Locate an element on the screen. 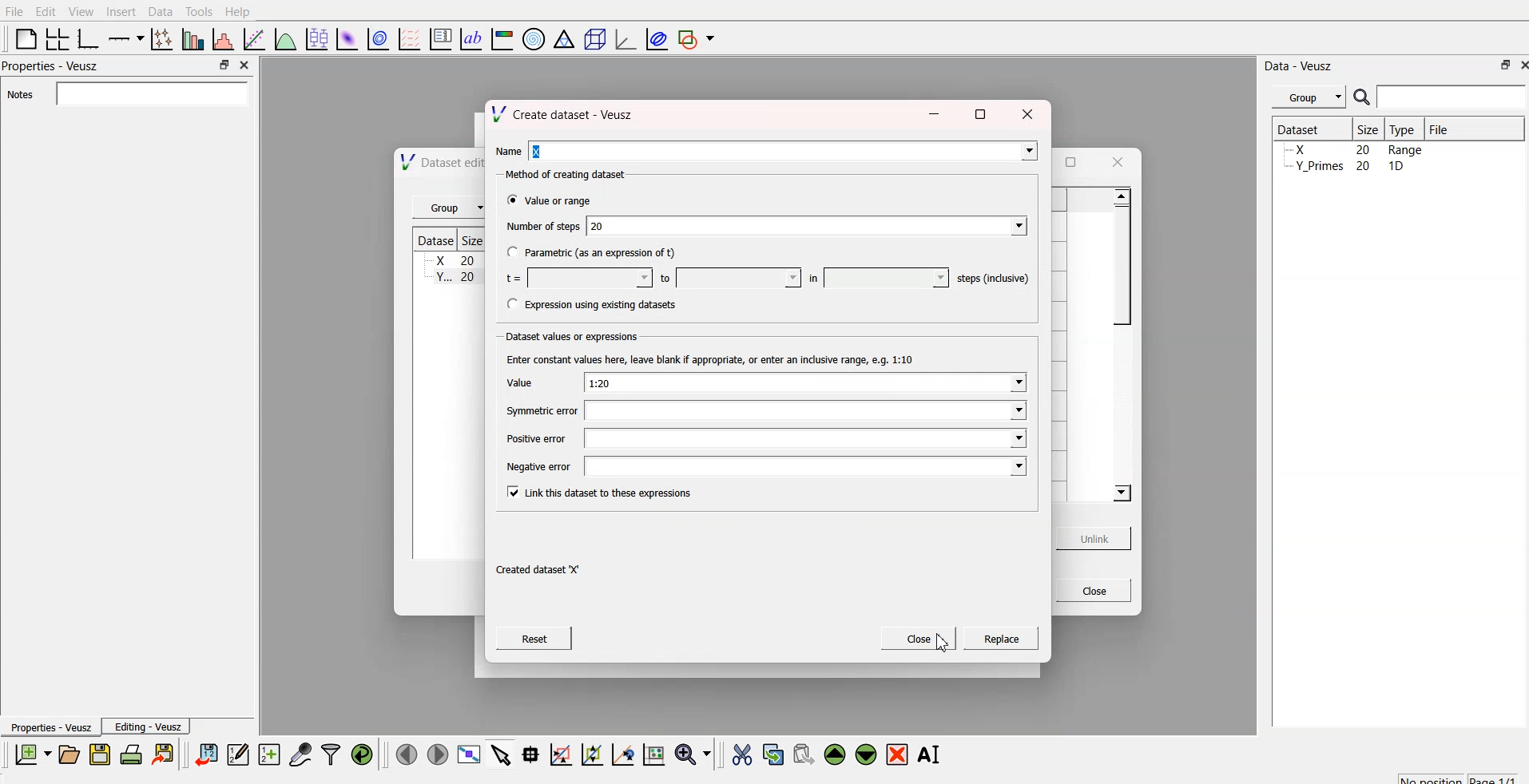 The width and height of the screenshot is (1529, 784). maximize is located at coordinates (978, 114).